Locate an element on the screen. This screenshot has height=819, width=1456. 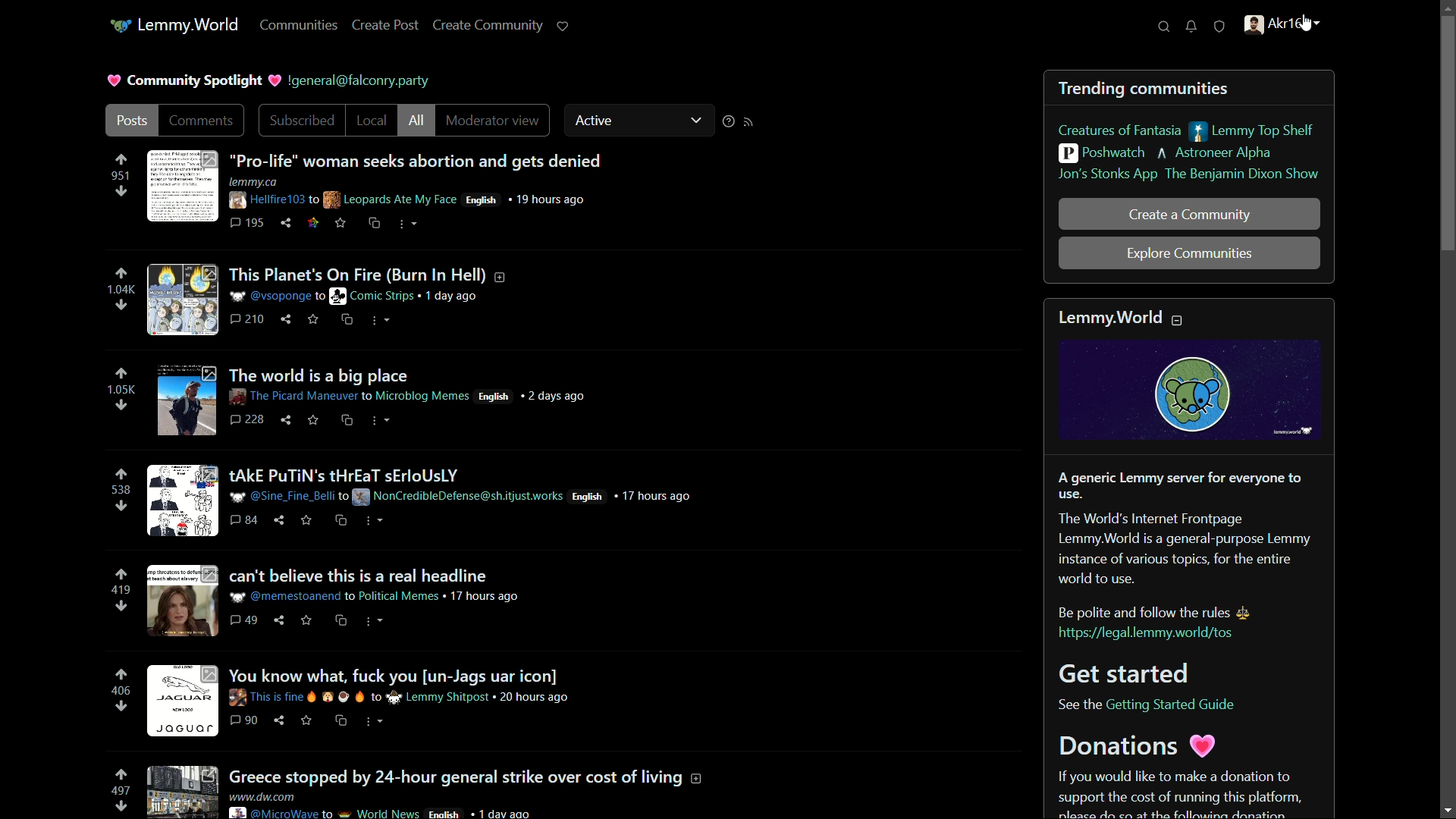
number of votes is located at coordinates (119, 175).